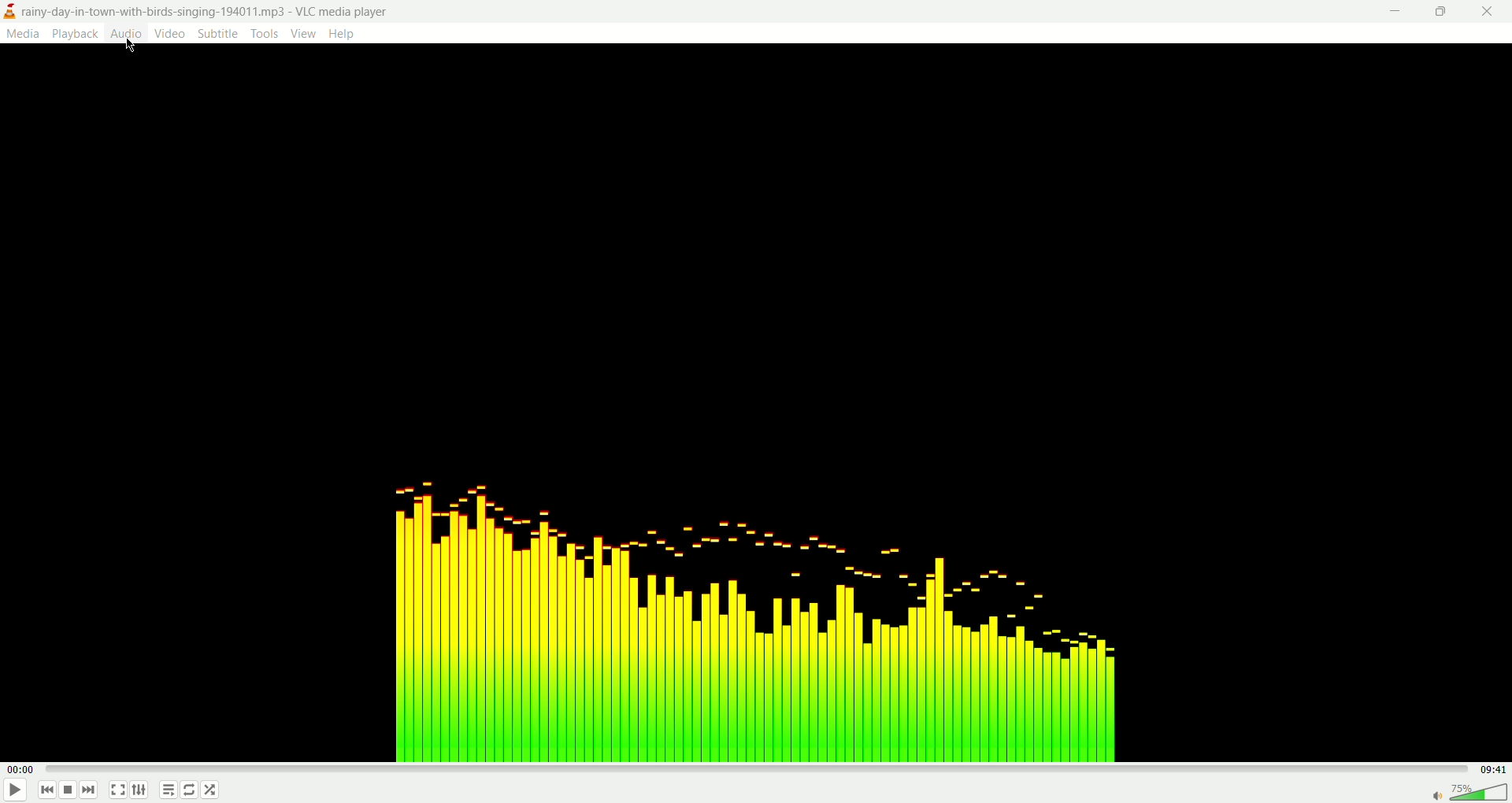 This screenshot has width=1512, height=803. What do you see at coordinates (125, 31) in the screenshot?
I see `audio` at bounding box center [125, 31].